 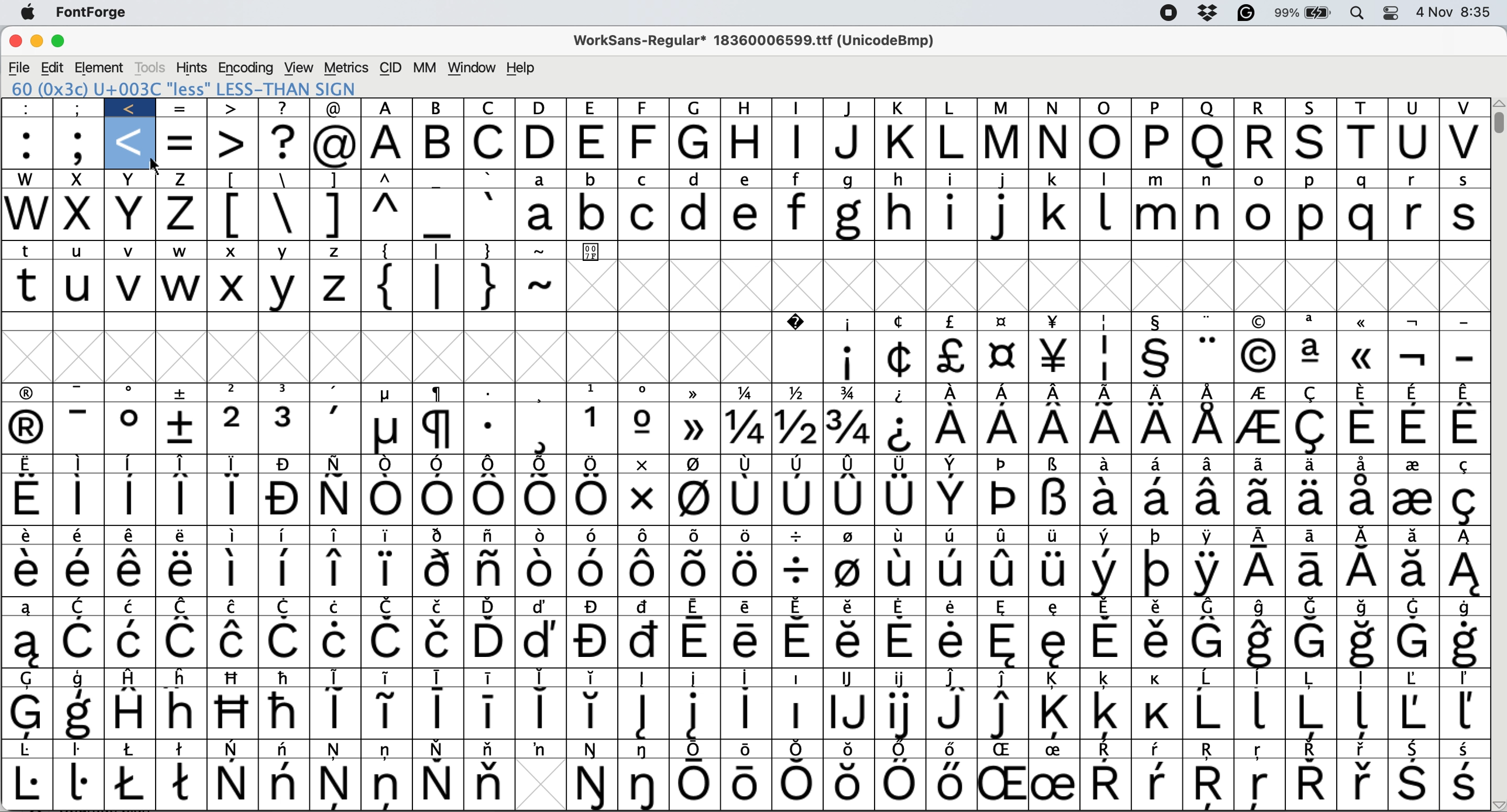 I want to click on e, so click(x=594, y=143).